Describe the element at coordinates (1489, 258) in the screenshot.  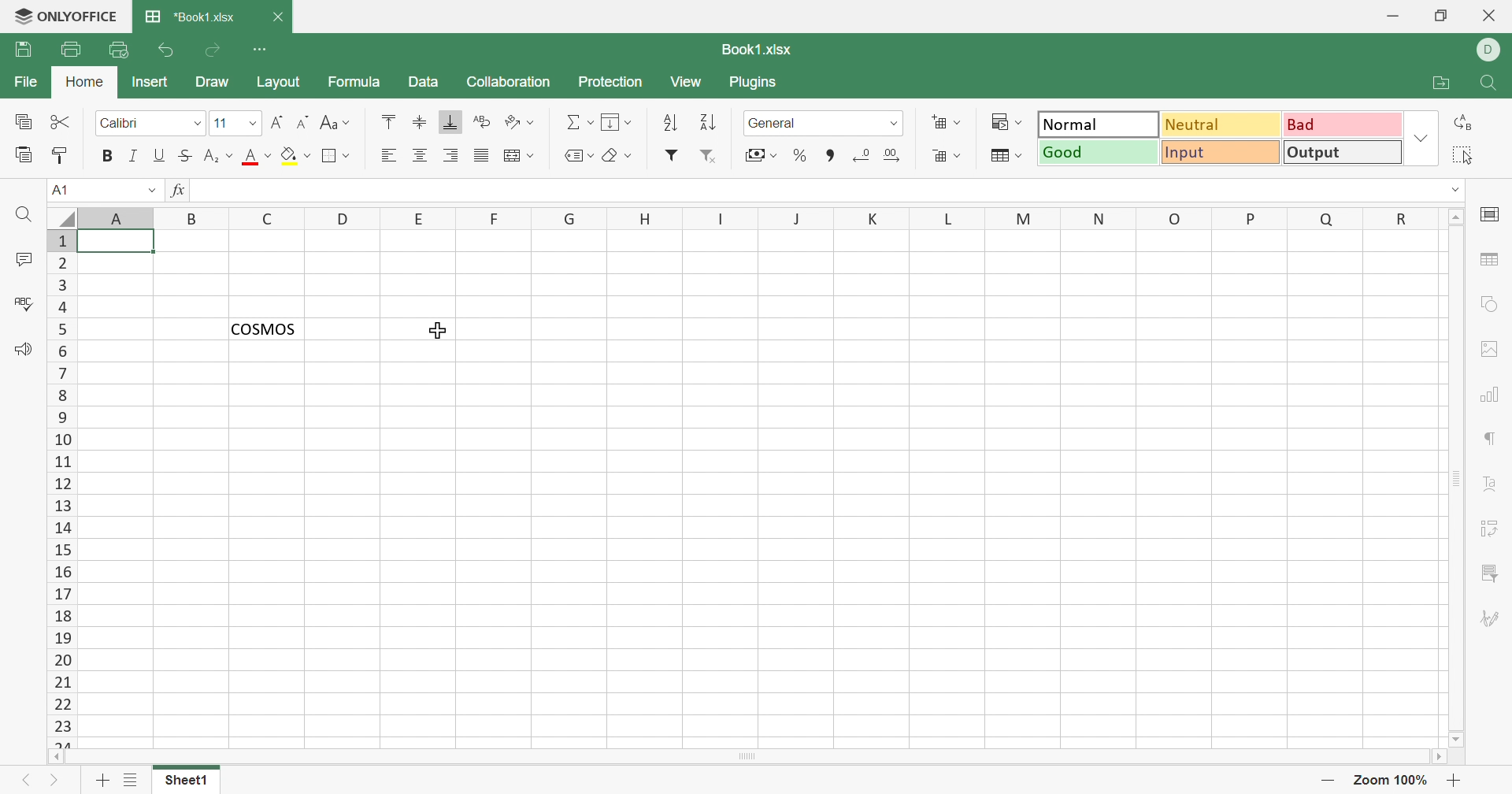
I see `Table settings` at that location.